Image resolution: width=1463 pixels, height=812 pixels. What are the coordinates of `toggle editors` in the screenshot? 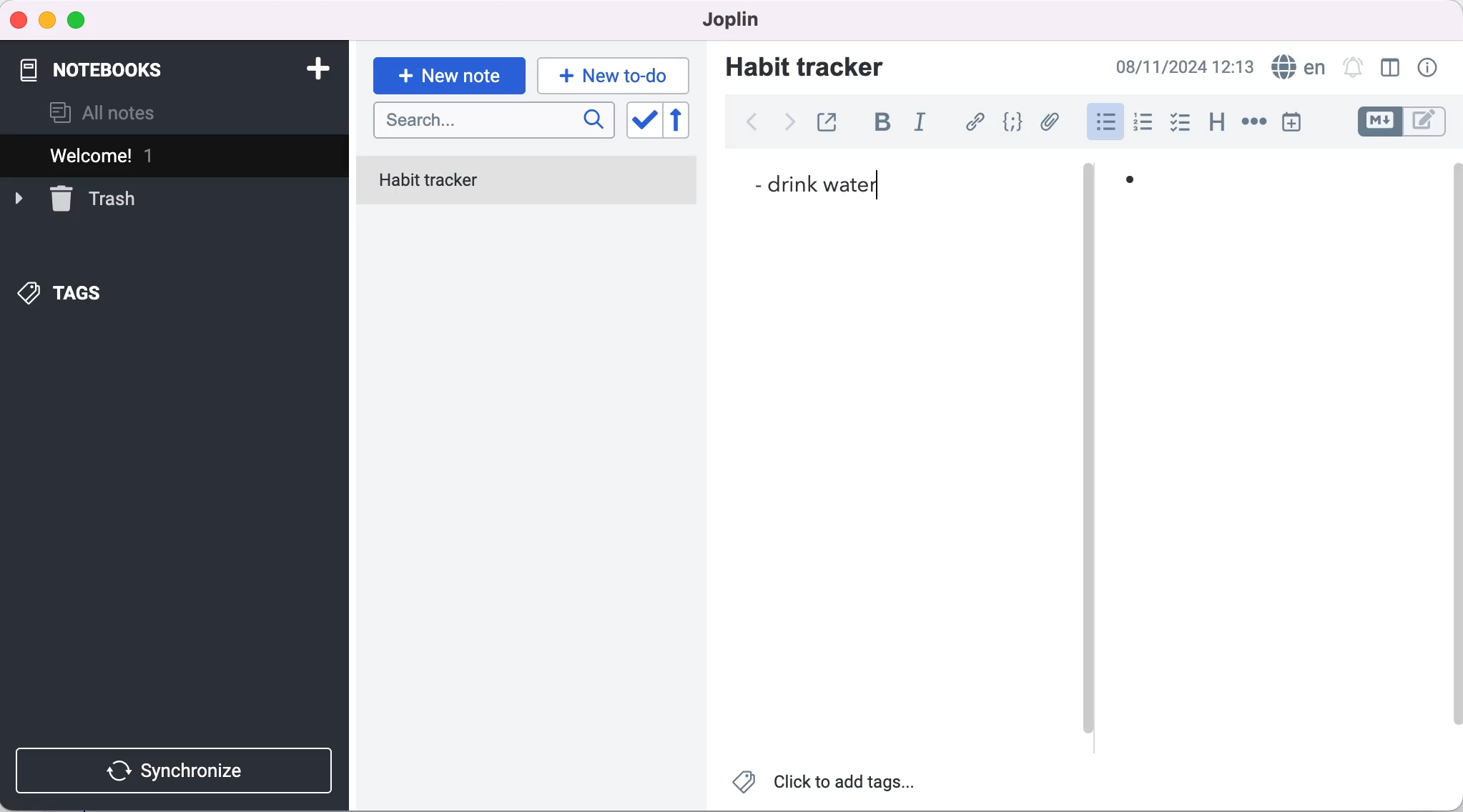 It's located at (1404, 122).